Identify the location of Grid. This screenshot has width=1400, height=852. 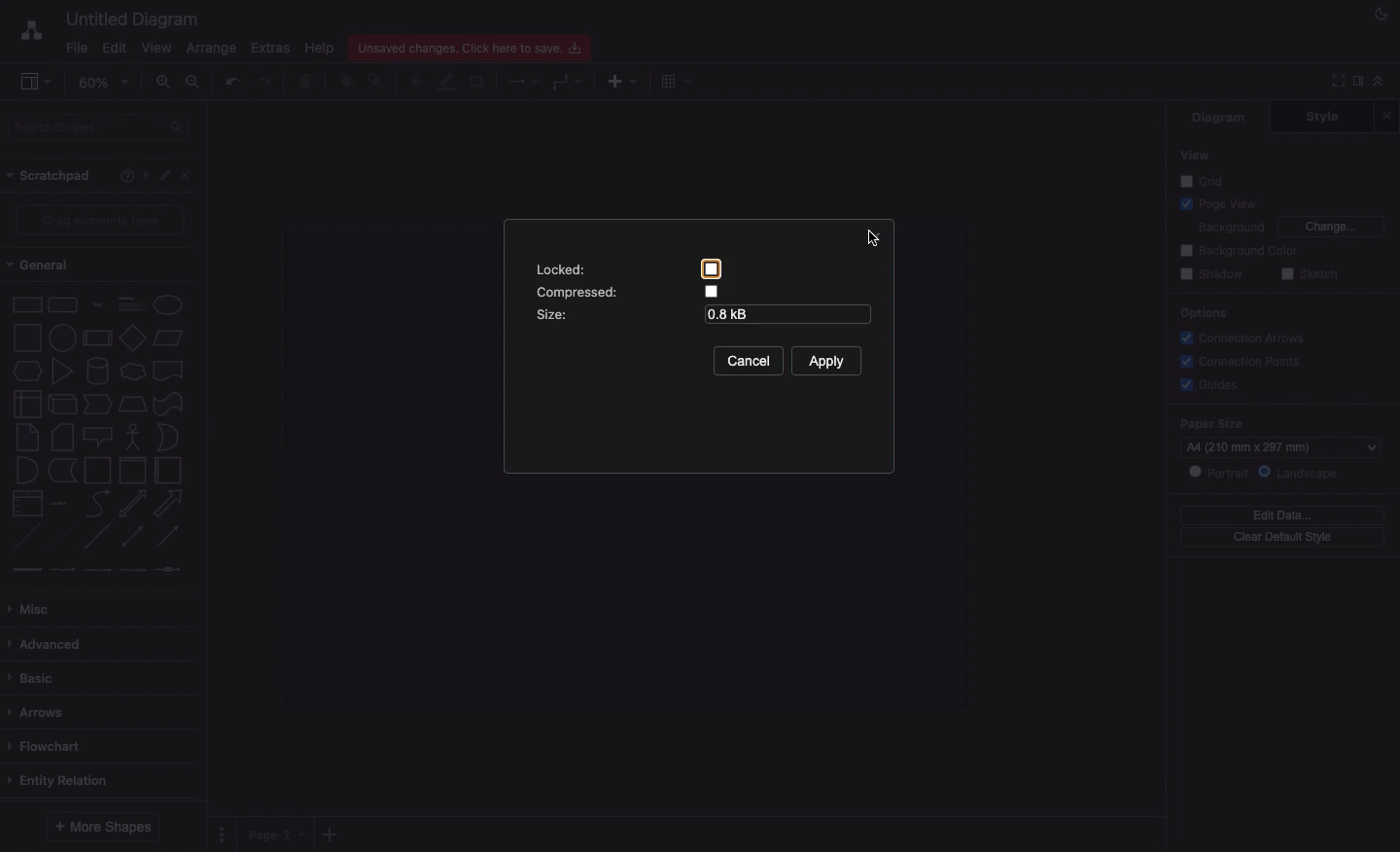
(1205, 180).